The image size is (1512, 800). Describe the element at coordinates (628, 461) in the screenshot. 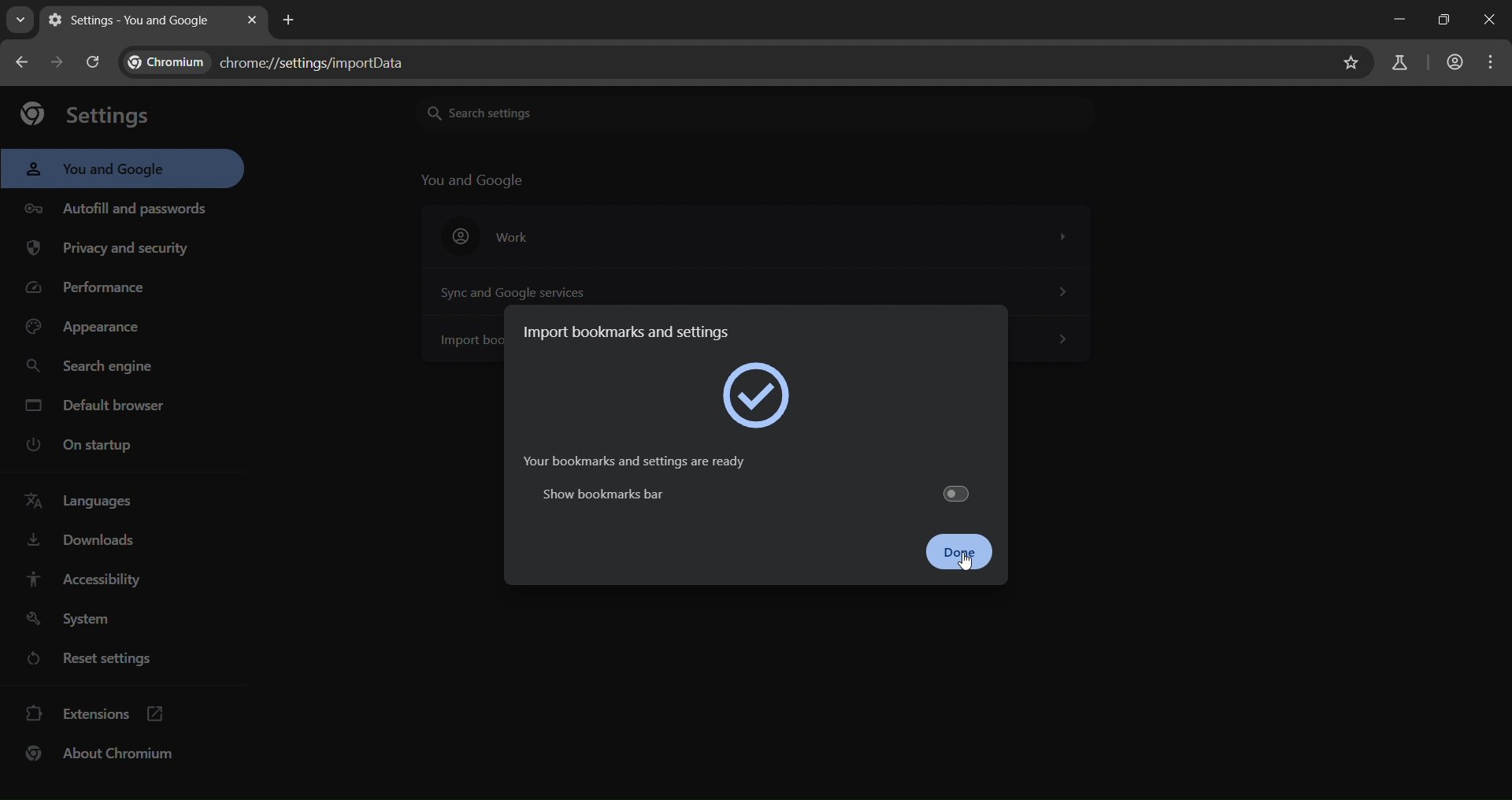

I see `Your bookmarks and settings are ready` at that location.